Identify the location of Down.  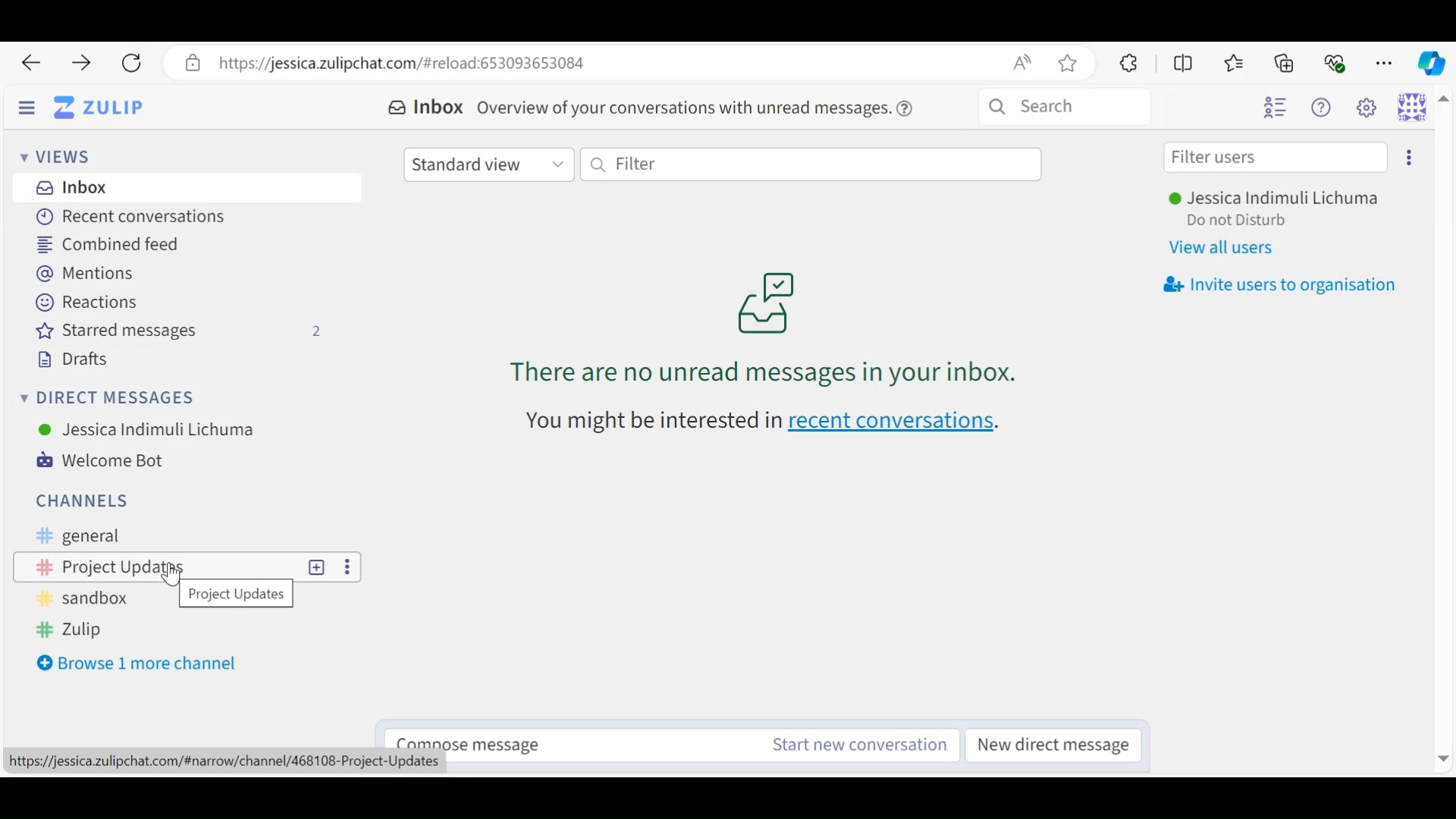
(1439, 754).